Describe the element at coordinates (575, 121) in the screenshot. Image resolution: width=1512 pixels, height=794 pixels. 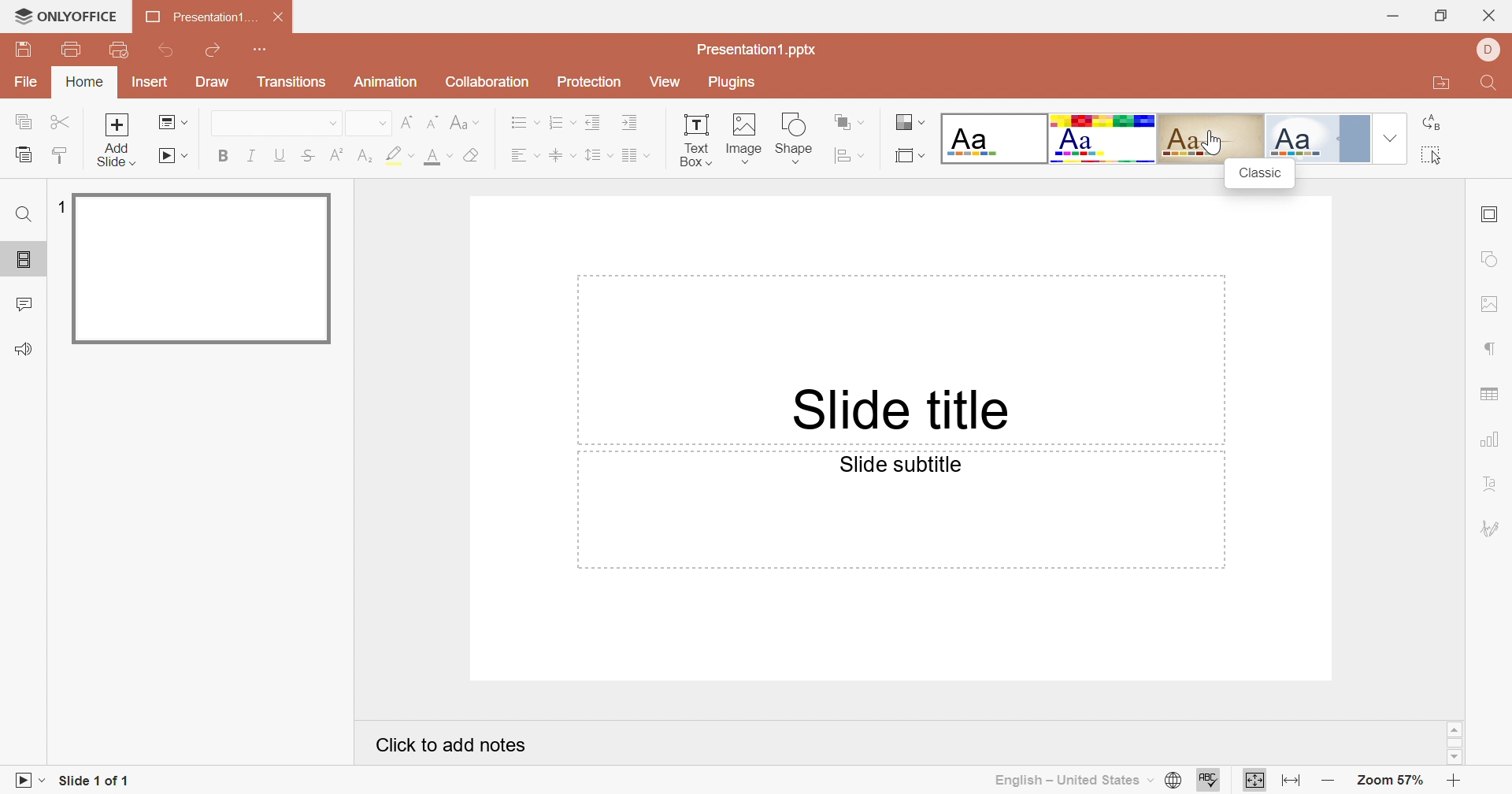
I see `Drop Down` at that location.